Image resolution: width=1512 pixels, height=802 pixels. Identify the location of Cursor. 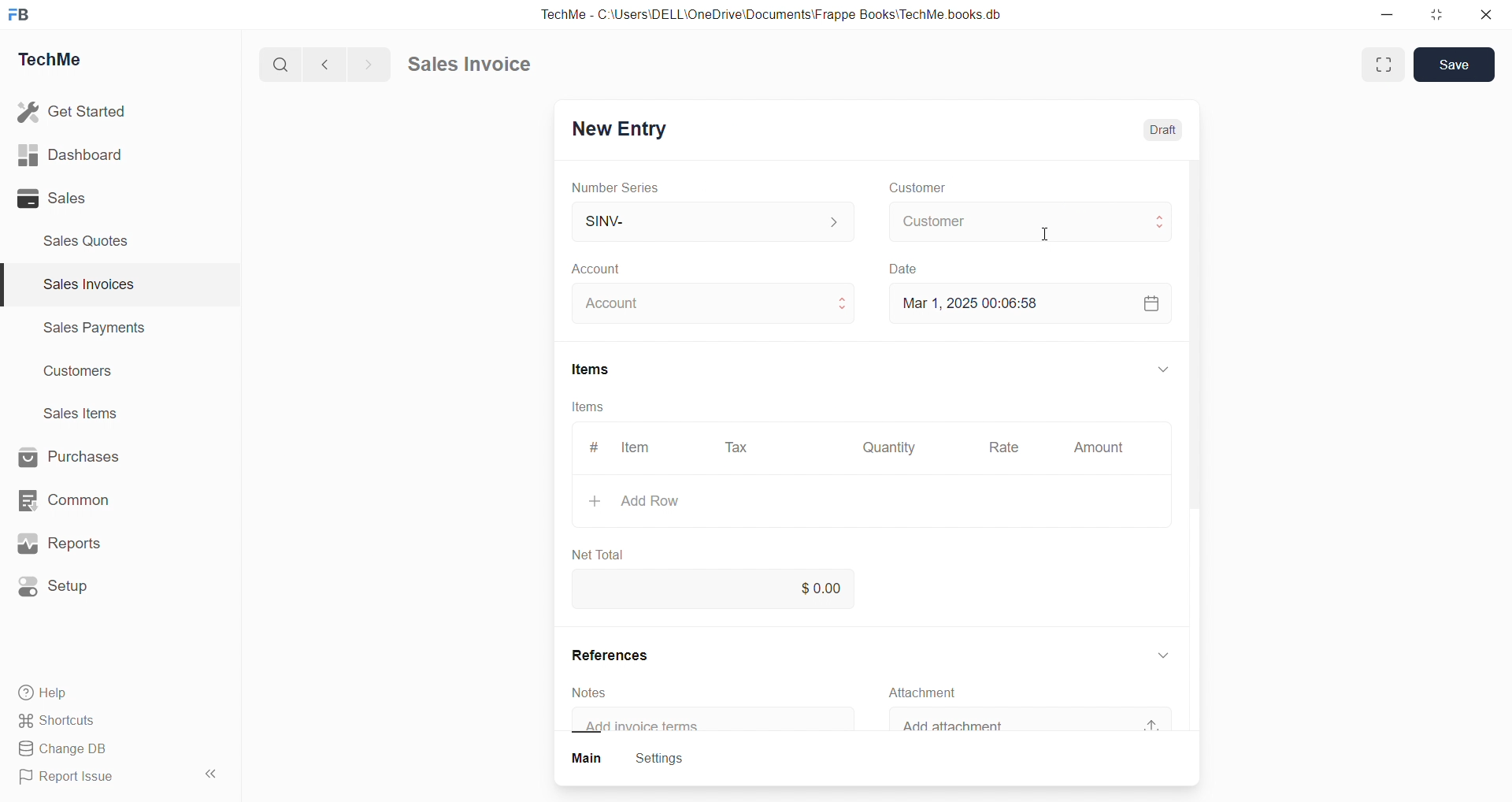
(1051, 235).